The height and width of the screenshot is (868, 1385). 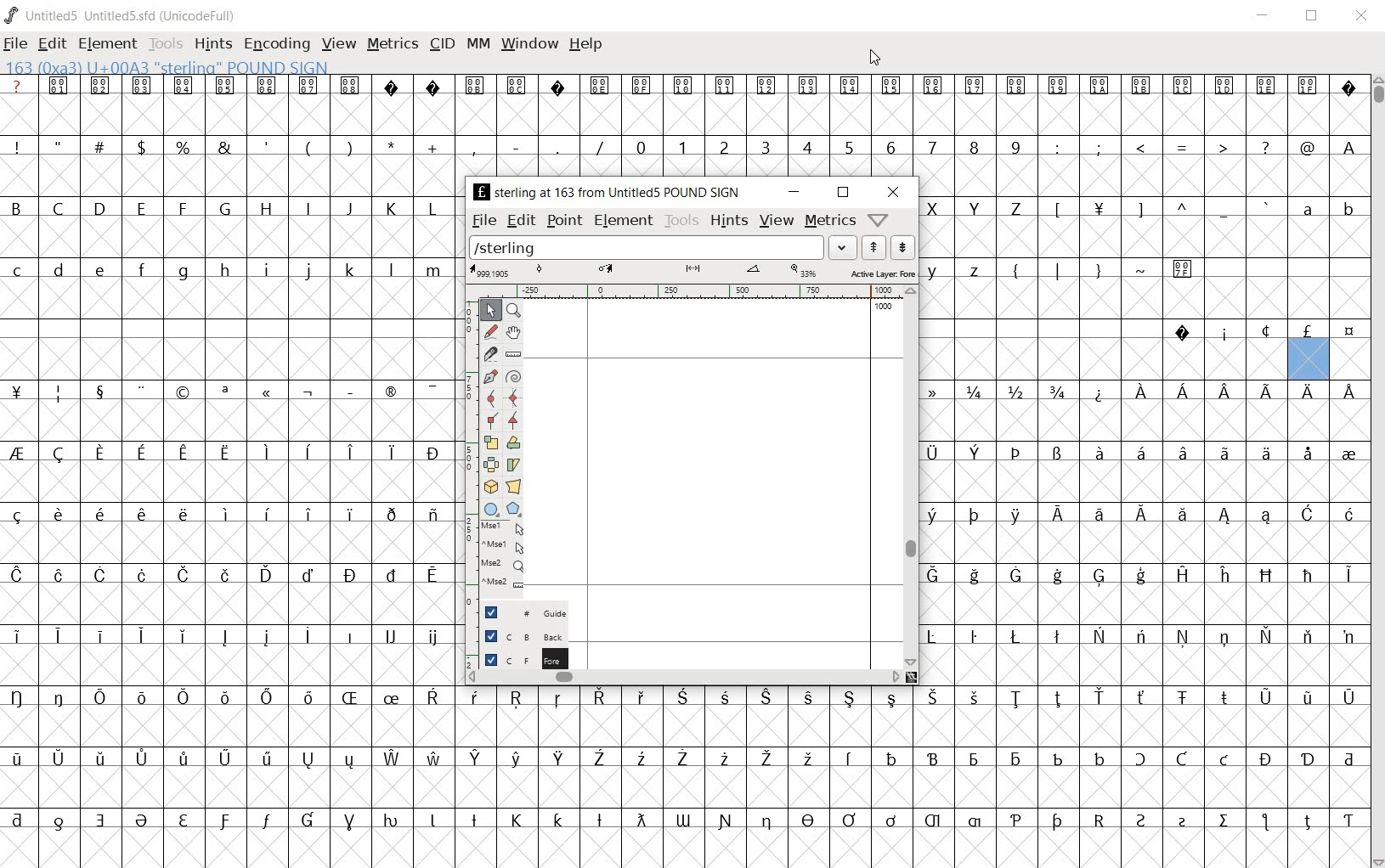 What do you see at coordinates (729, 219) in the screenshot?
I see `hints` at bounding box center [729, 219].